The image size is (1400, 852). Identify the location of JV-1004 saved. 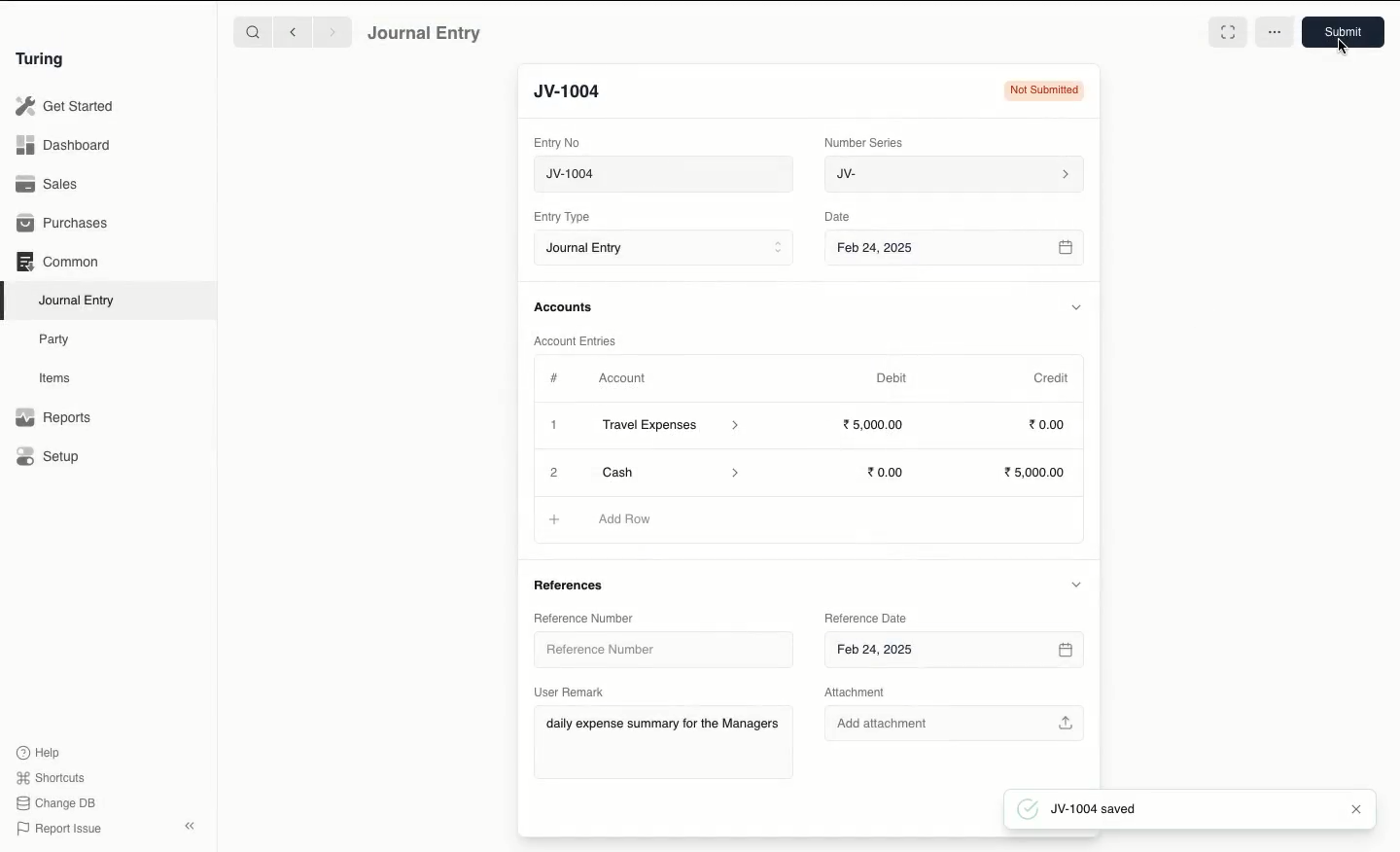
(1084, 810).